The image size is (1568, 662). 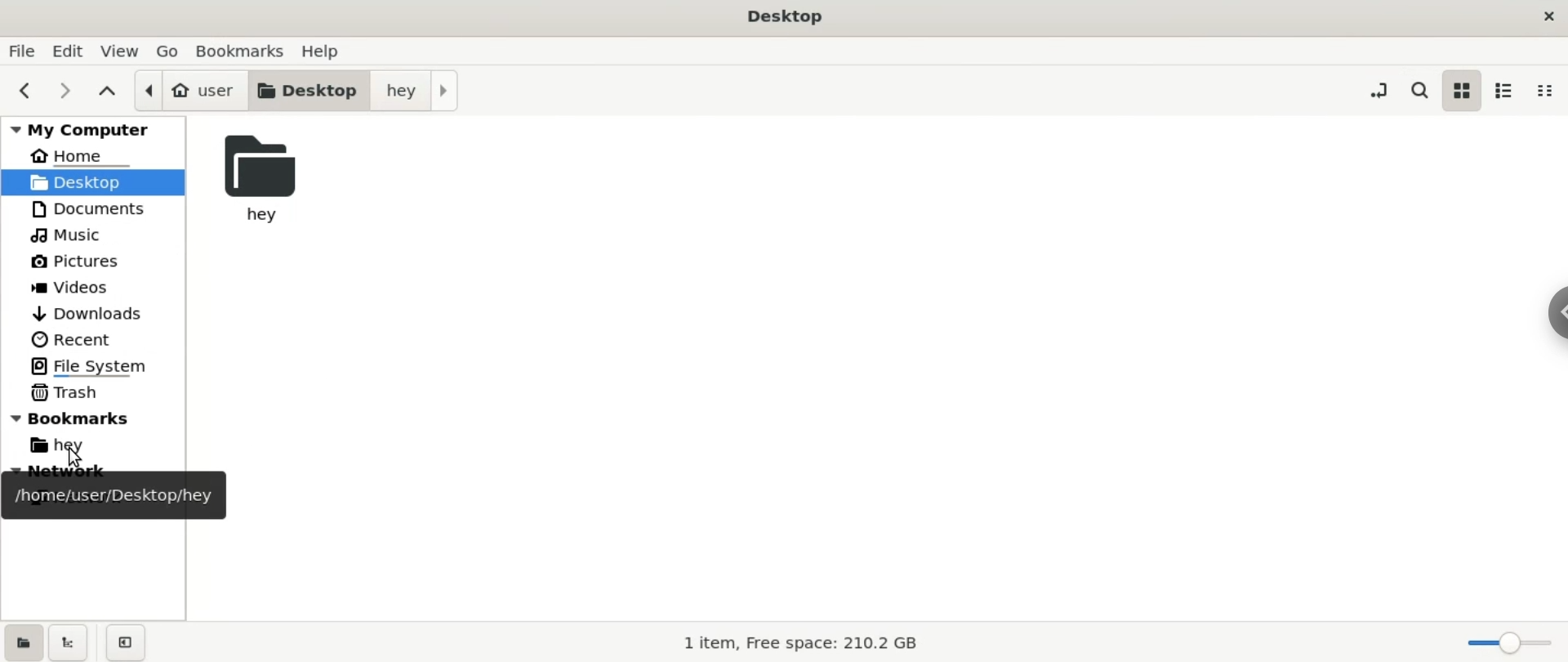 I want to click on parent folders, so click(x=109, y=91).